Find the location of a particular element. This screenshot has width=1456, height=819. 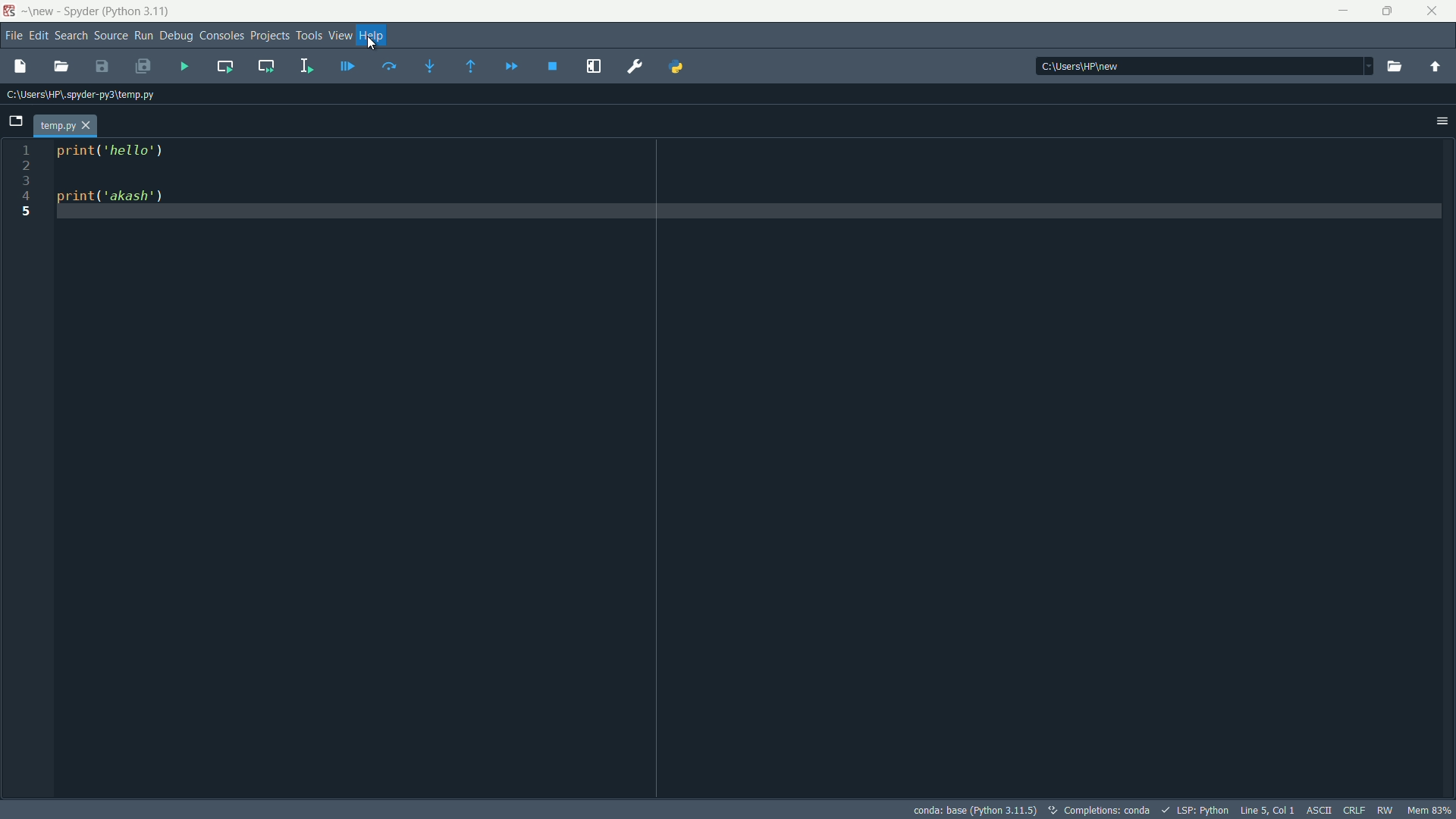

close is located at coordinates (89, 127).